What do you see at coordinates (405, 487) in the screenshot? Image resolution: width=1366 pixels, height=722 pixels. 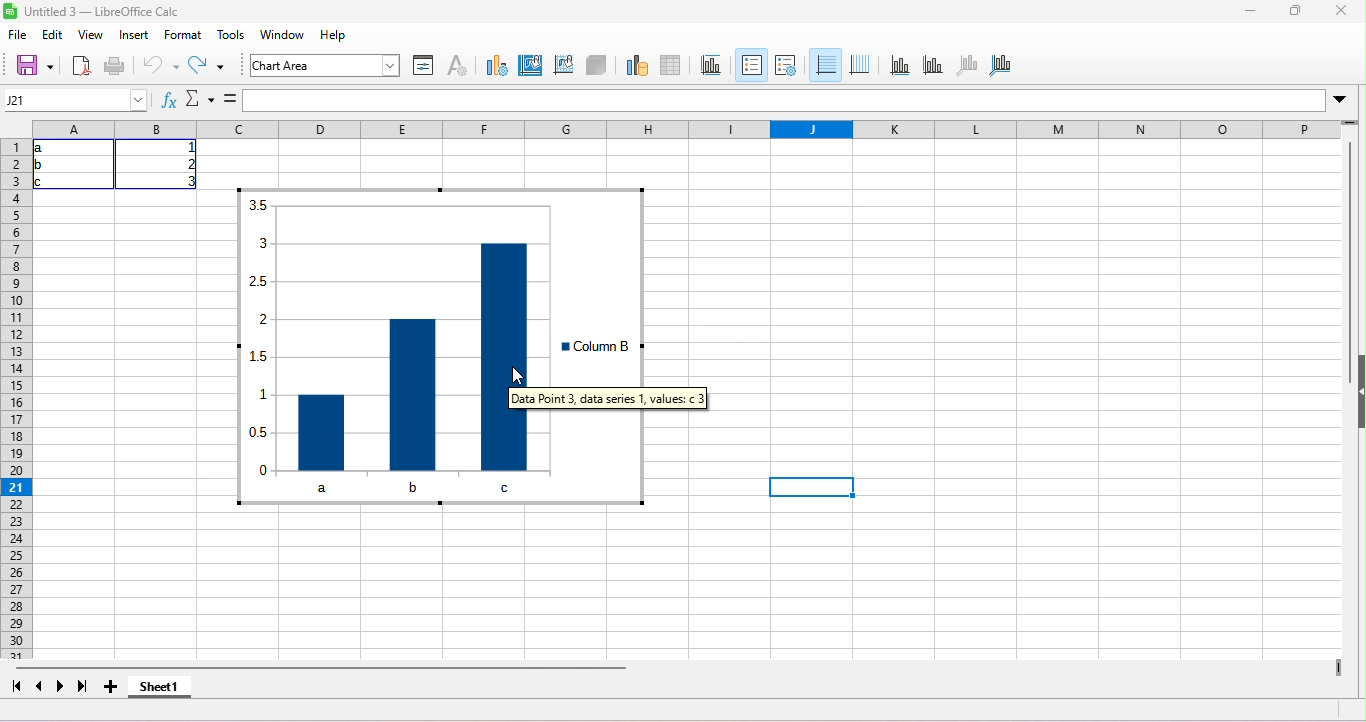 I see `b` at bounding box center [405, 487].